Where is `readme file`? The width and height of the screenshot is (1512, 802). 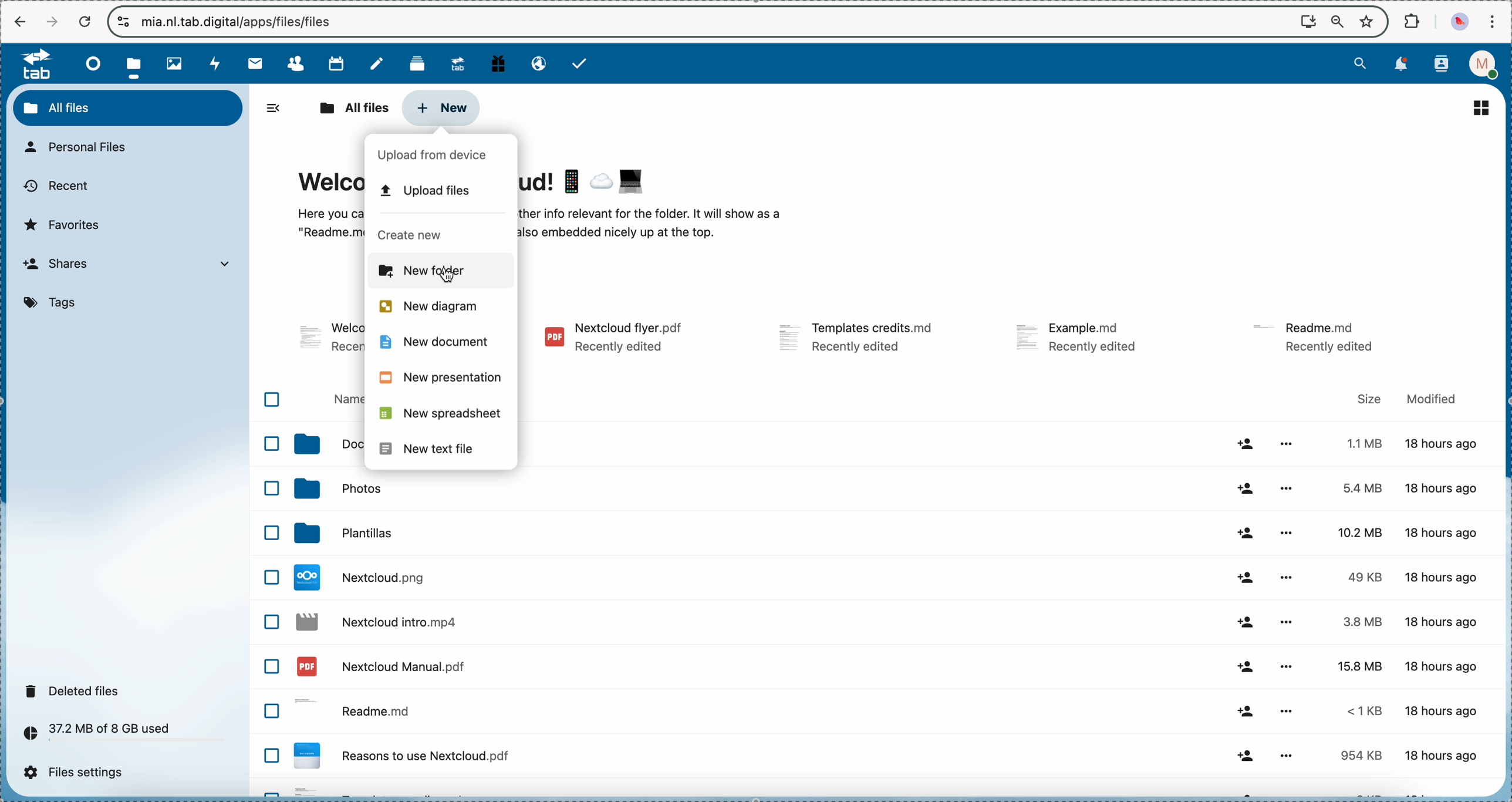 readme file is located at coordinates (752, 713).